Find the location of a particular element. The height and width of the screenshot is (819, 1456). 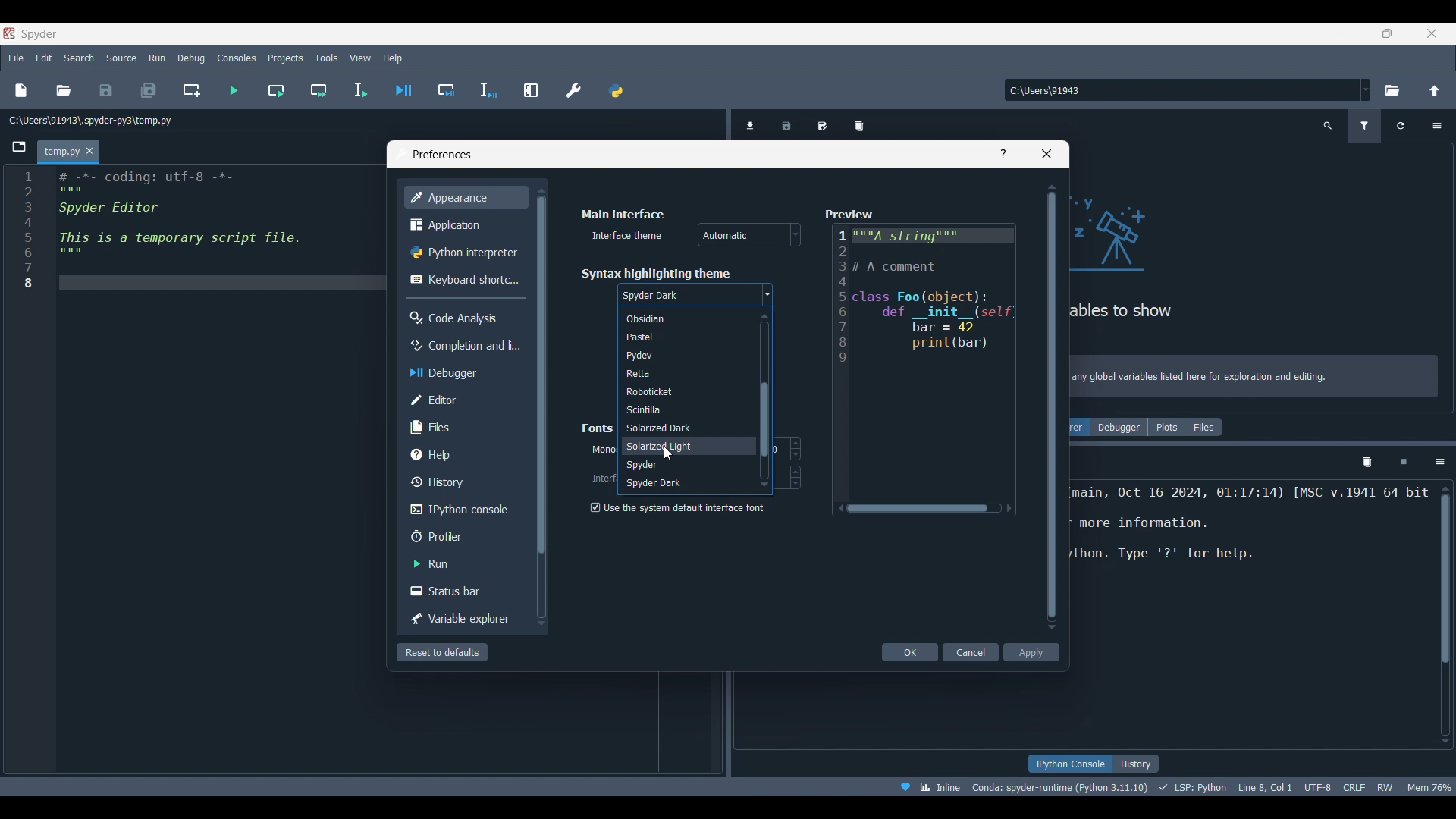

Debug menu is located at coordinates (191, 58).